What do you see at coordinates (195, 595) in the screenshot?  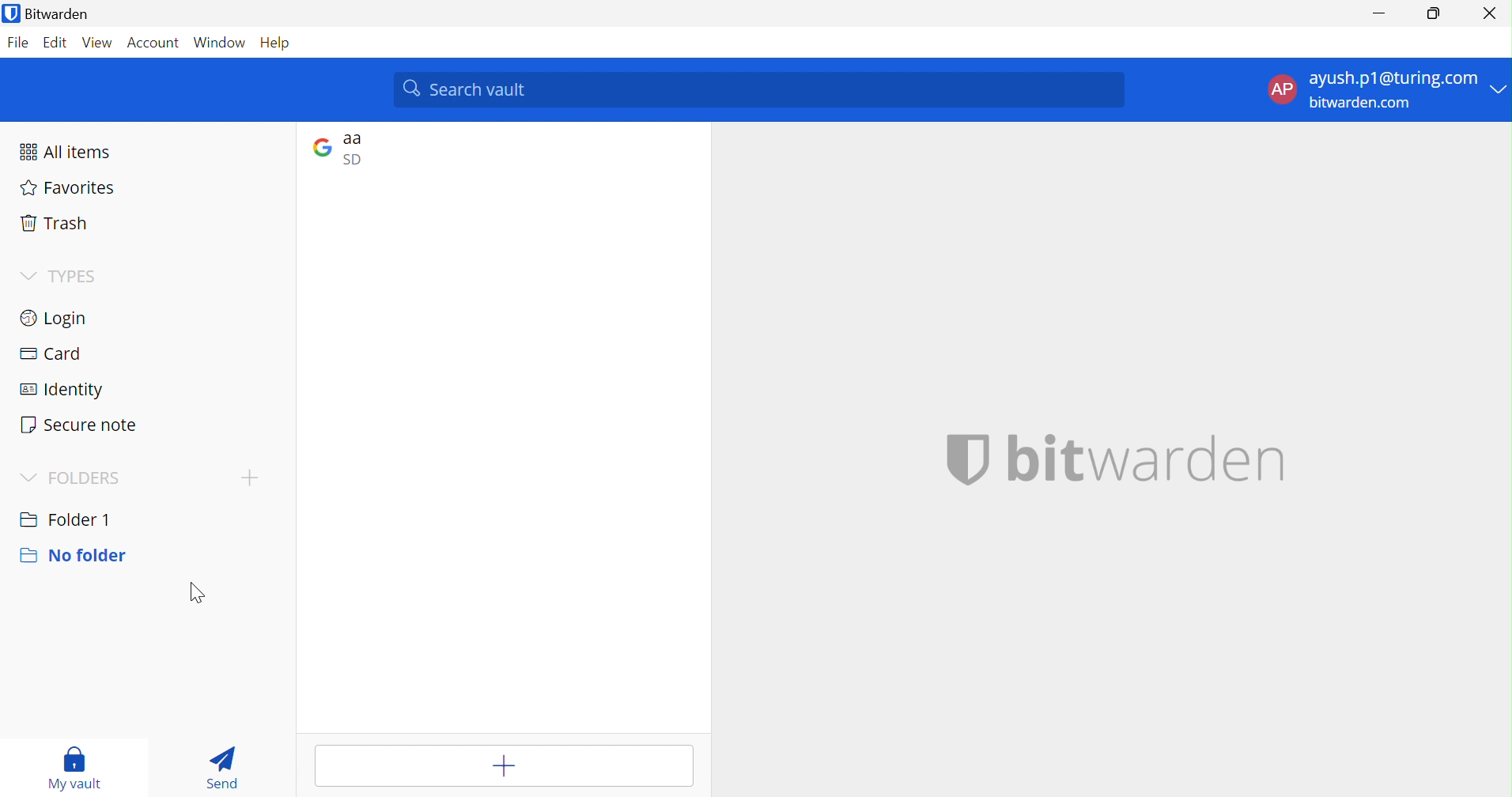 I see `Cursor` at bounding box center [195, 595].